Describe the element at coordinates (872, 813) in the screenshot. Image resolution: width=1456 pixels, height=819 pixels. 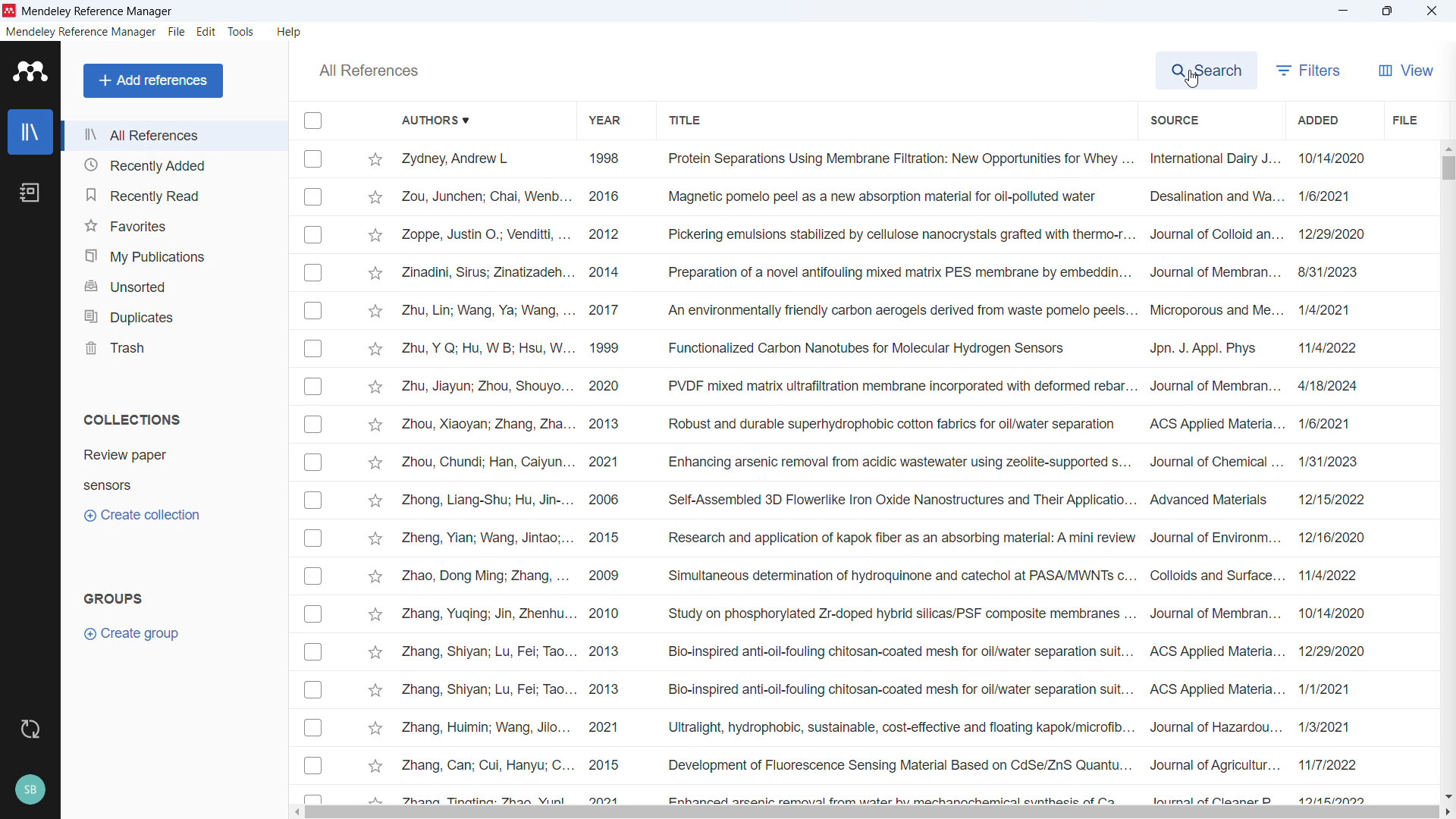
I see `Horizontal scroll bar ` at that location.